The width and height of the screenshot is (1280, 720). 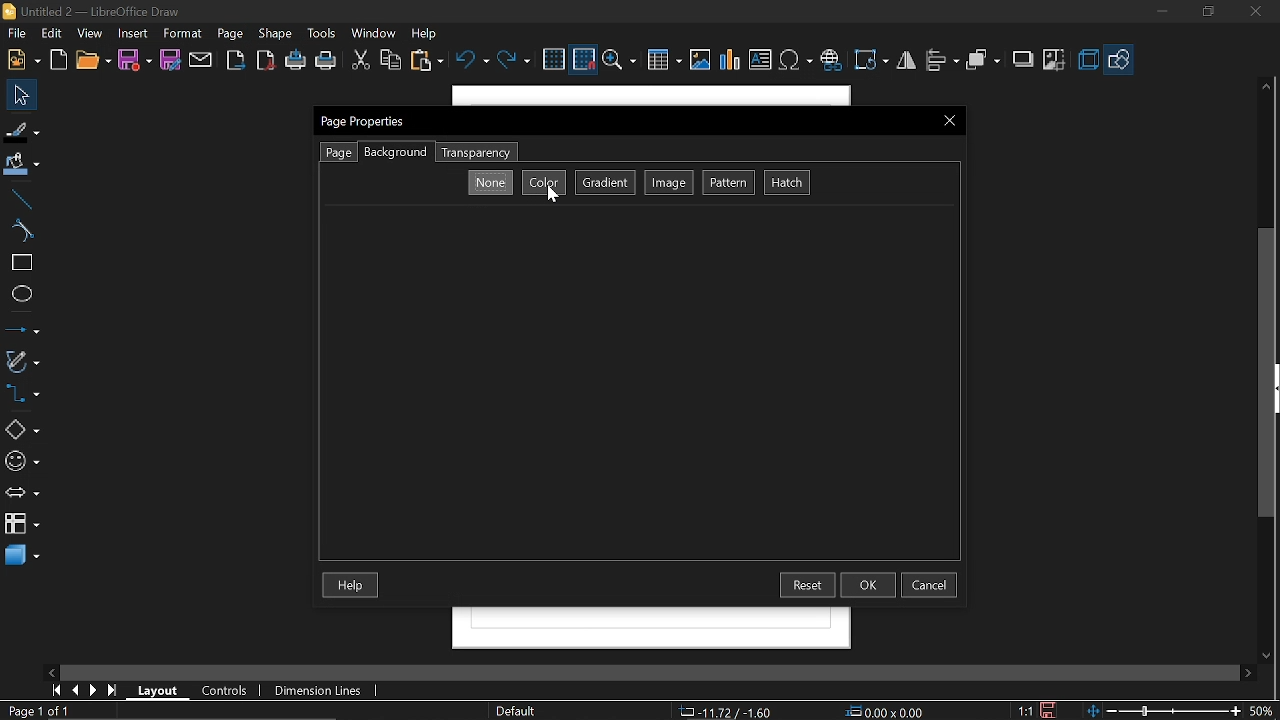 What do you see at coordinates (1120, 59) in the screenshot?
I see `Basic hapes` at bounding box center [1120, 59].